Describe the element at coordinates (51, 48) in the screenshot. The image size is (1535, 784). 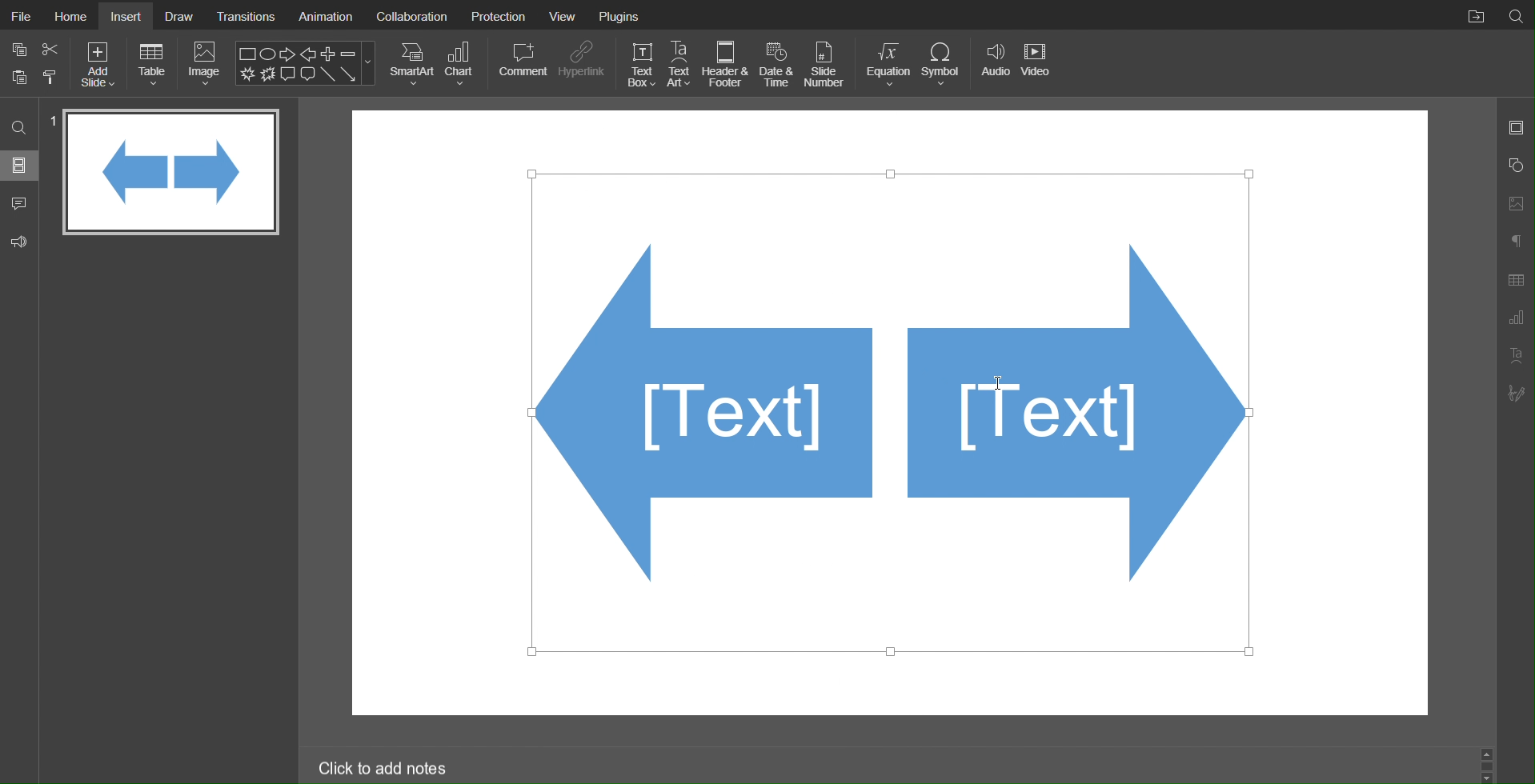
I see `cut` at that location.